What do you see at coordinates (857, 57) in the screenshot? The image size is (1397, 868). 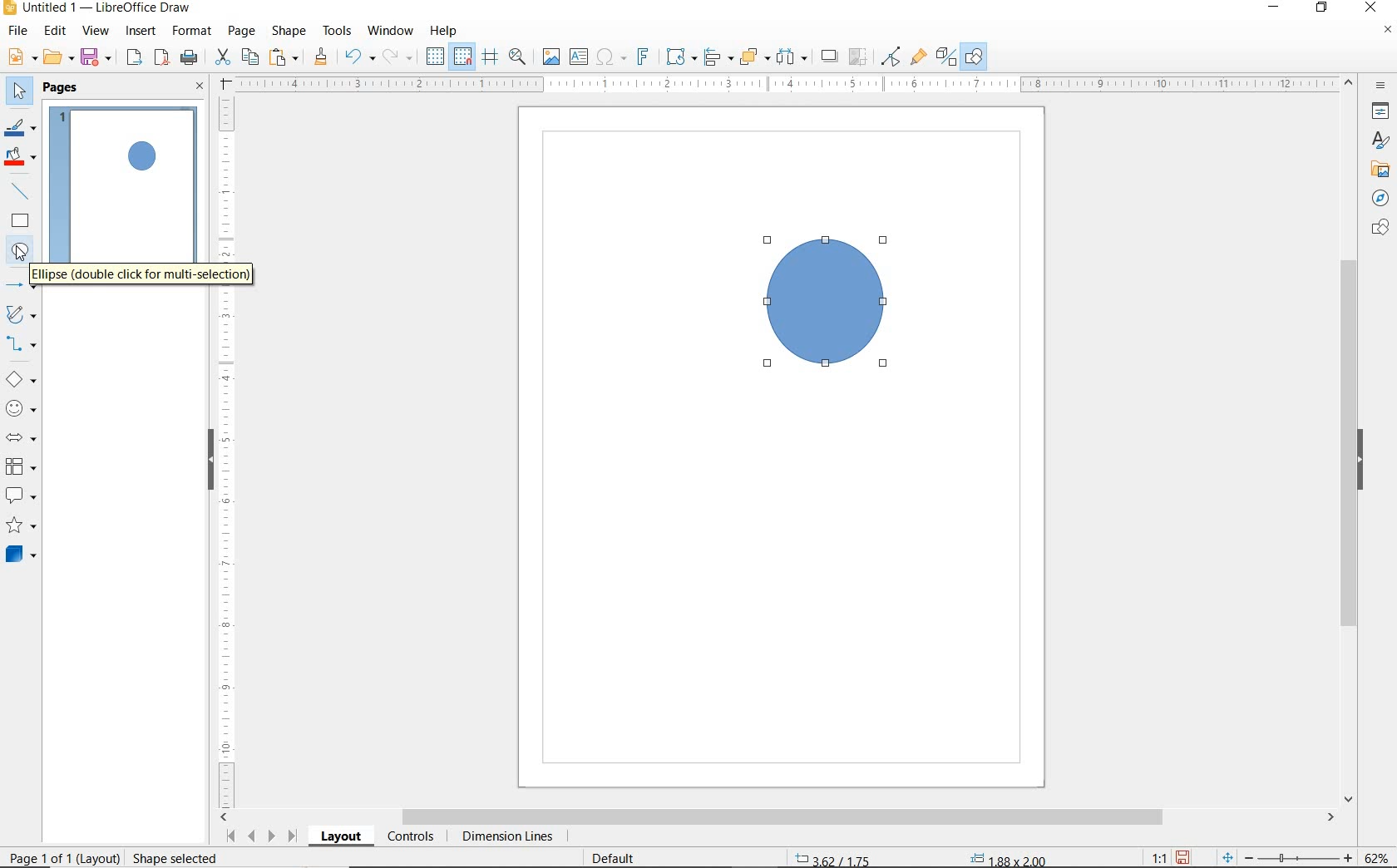 I see `CROP IMAGE` at bounding box center [857, 57].